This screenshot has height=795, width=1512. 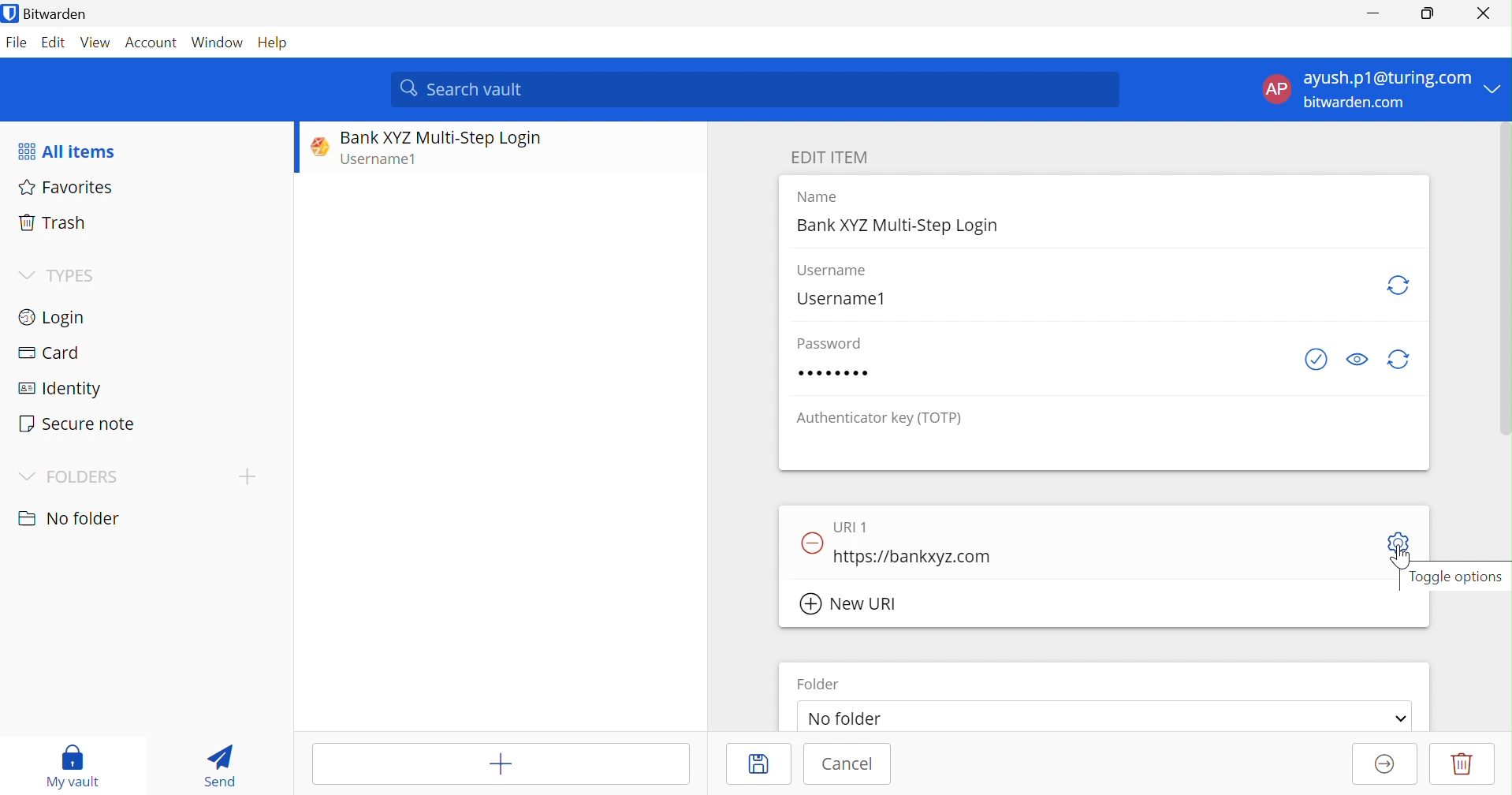 I want to click on Toggle options, so click(x=1460, y=579).